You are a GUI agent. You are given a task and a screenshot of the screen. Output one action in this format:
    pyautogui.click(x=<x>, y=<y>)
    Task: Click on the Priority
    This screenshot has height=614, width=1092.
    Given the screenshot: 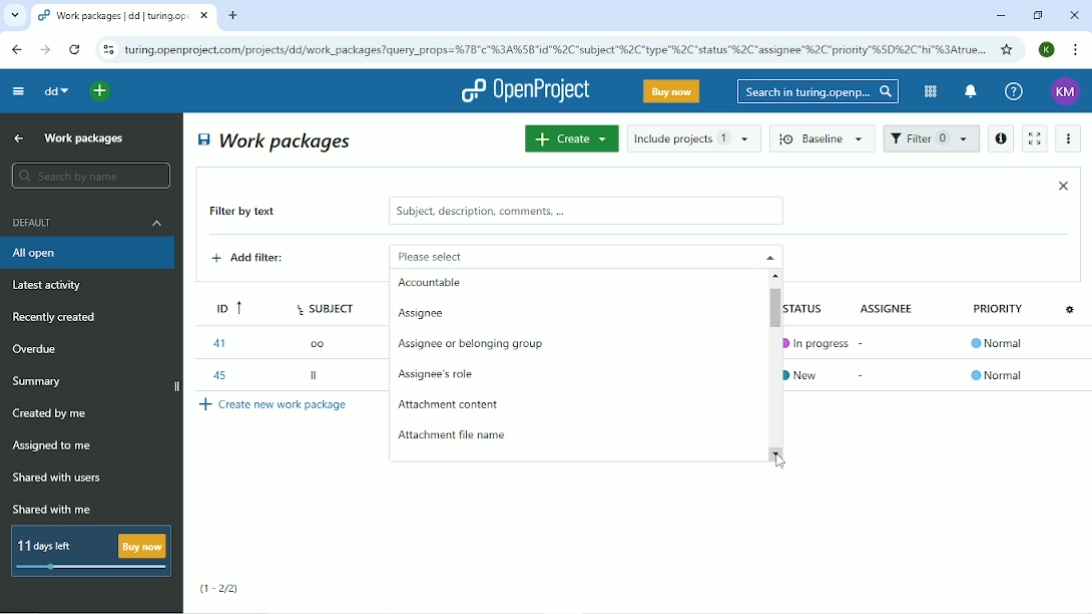 What is the action you would take?
    pyautogui.click(x=1000, y=314)
    